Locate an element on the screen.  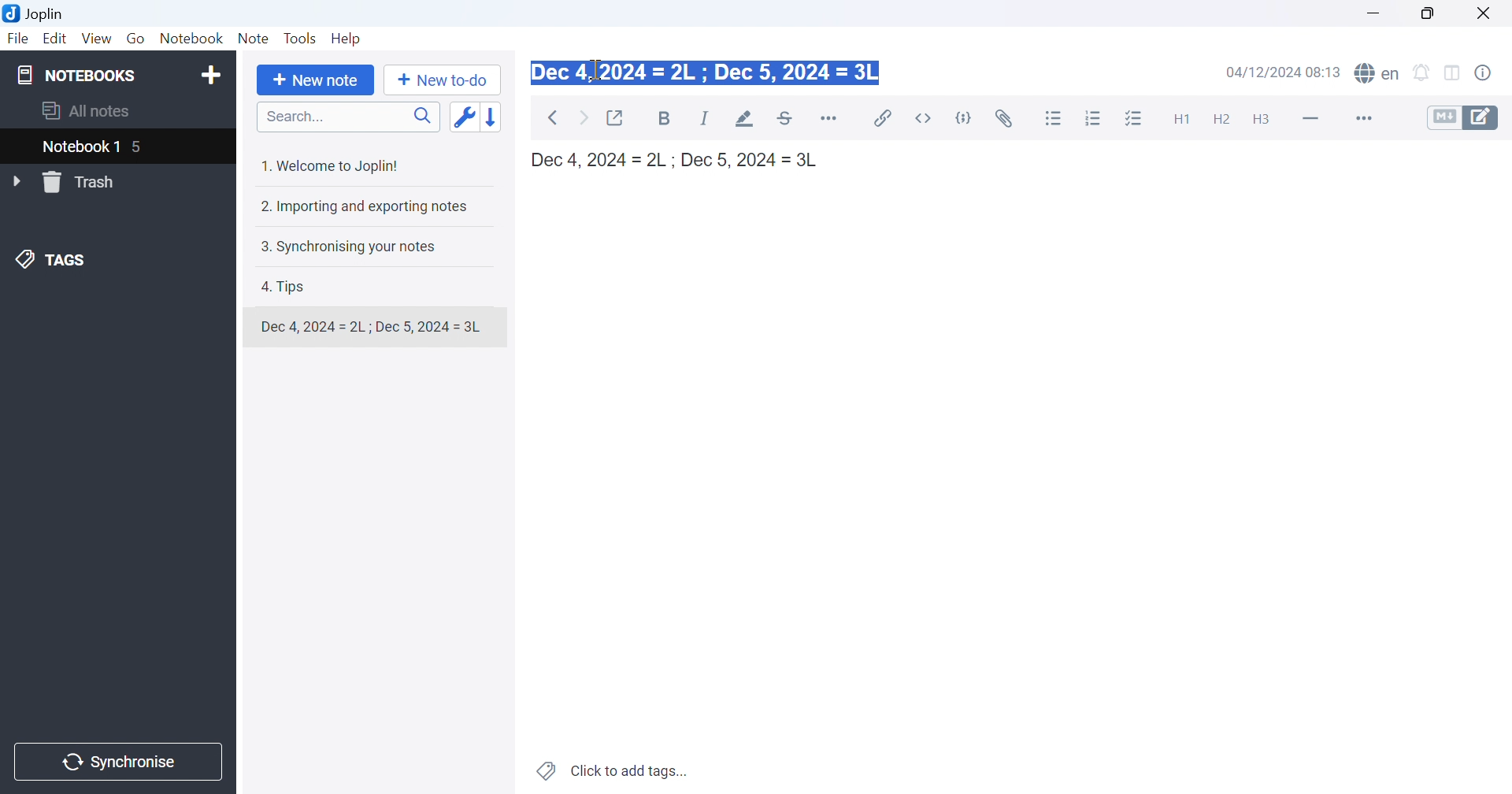
cursor is located at coordinates (597, 69).